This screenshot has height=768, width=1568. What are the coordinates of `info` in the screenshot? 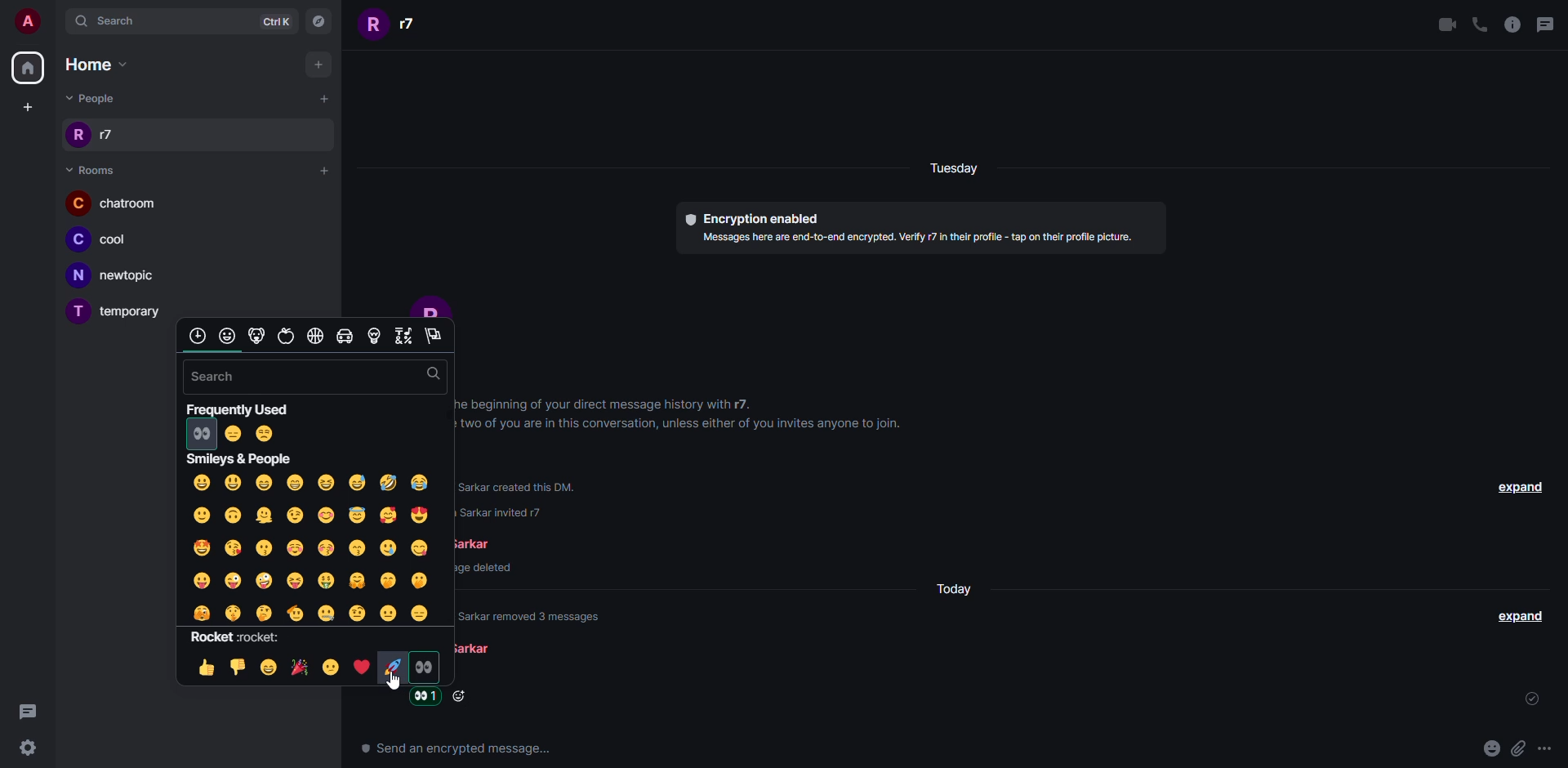 It's located at (1512, 25).